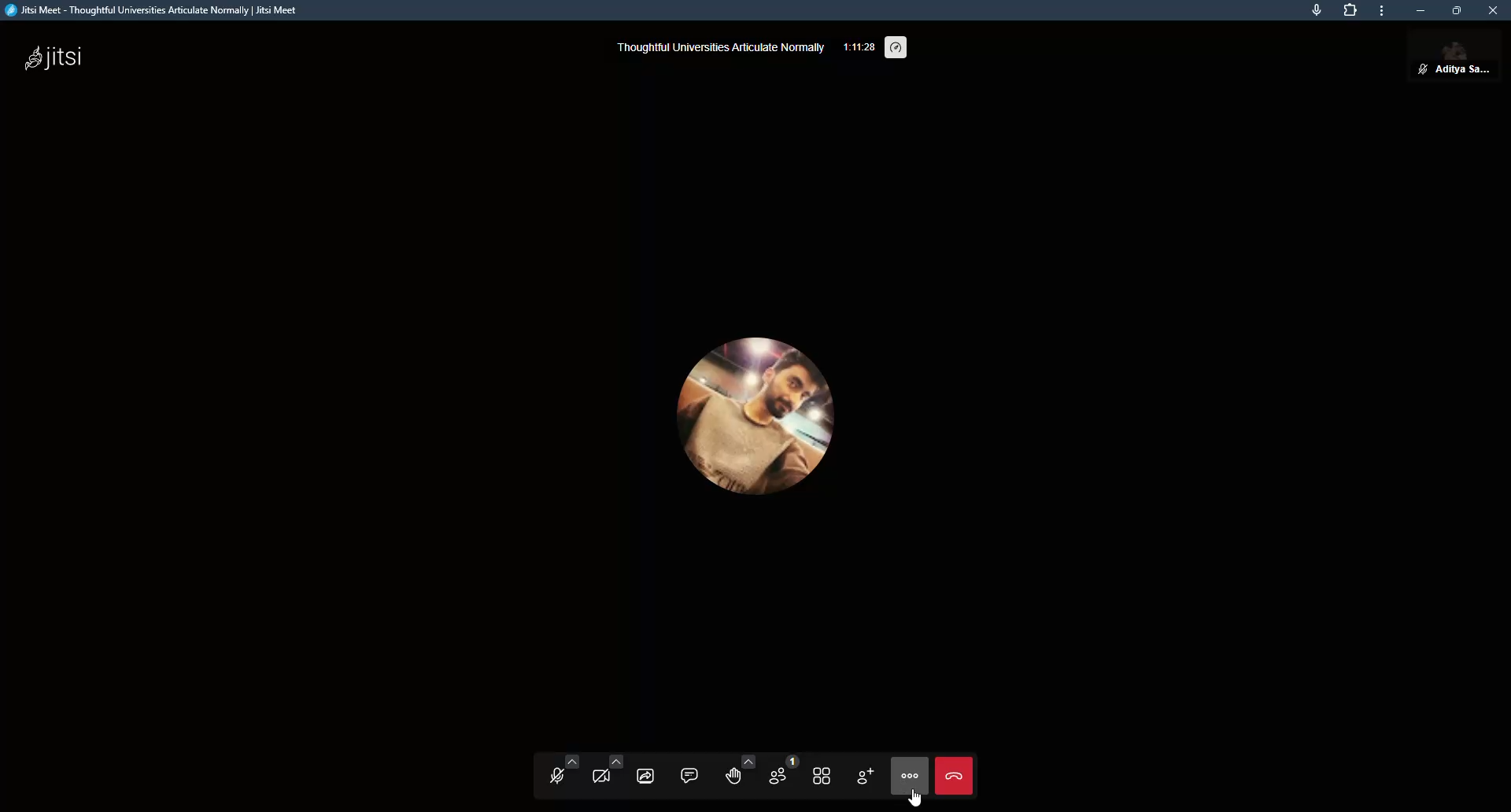  What do you see at coordinates (1420, 9) in the screenshot?
I see `minimize` at bounding box center [1420, 9].